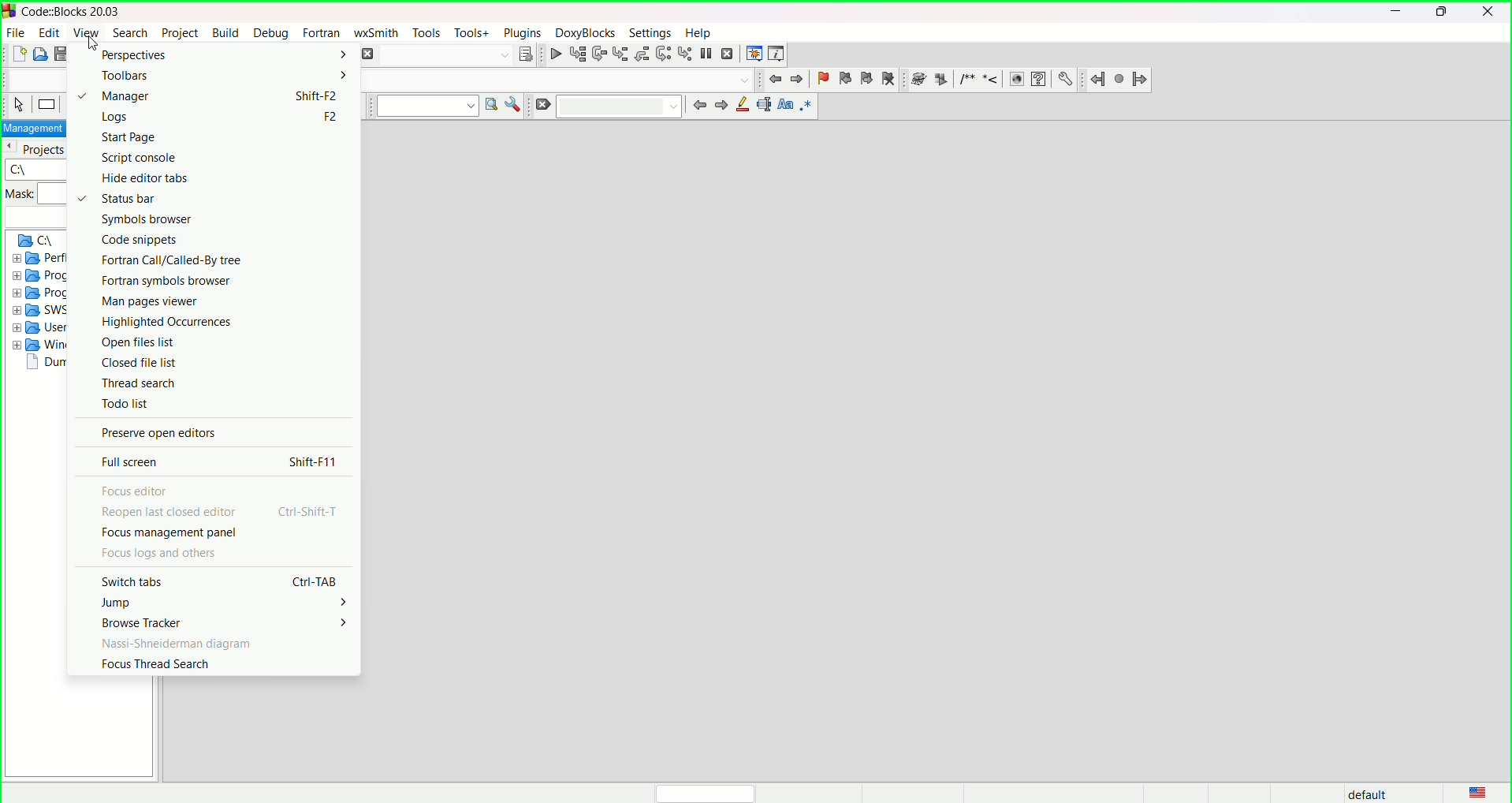 The width and height of the screenshot is (1512, 803). I want to click on closed files list, so click(140, 362).